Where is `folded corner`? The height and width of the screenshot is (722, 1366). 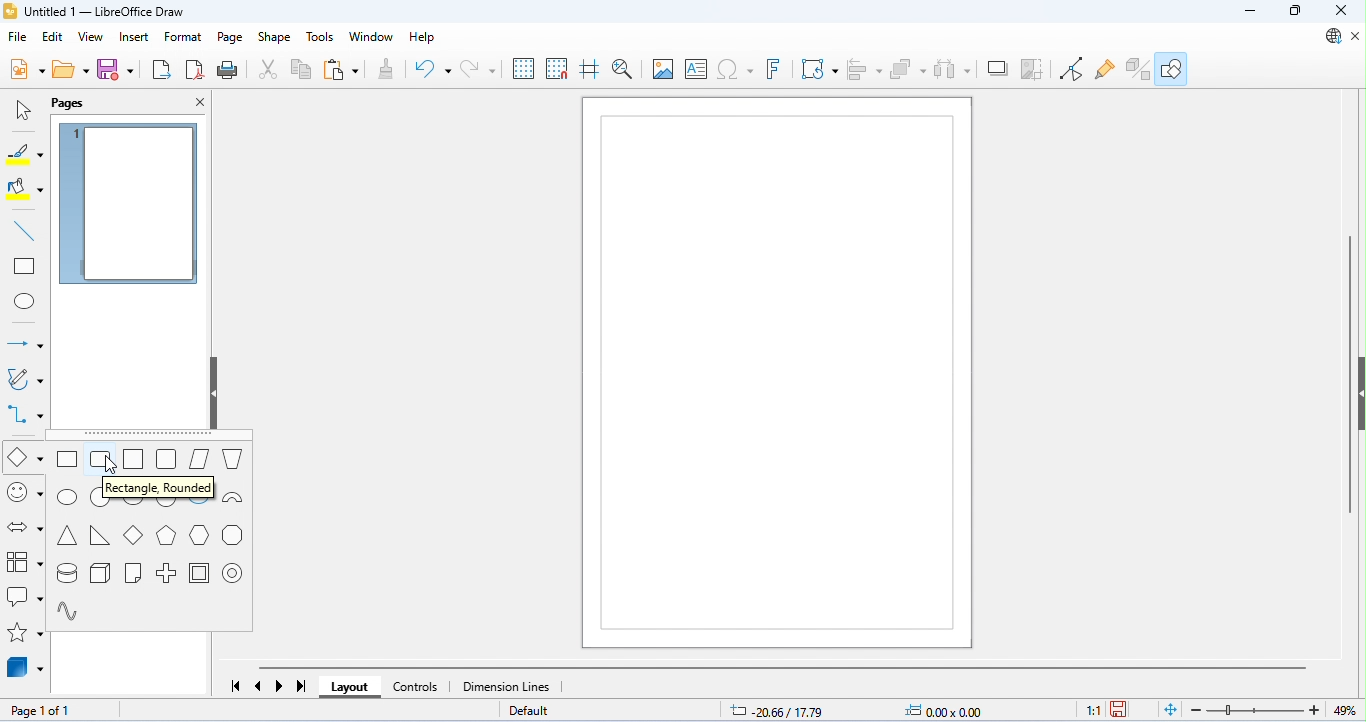 folded corner is located at coordinates (133, 573).